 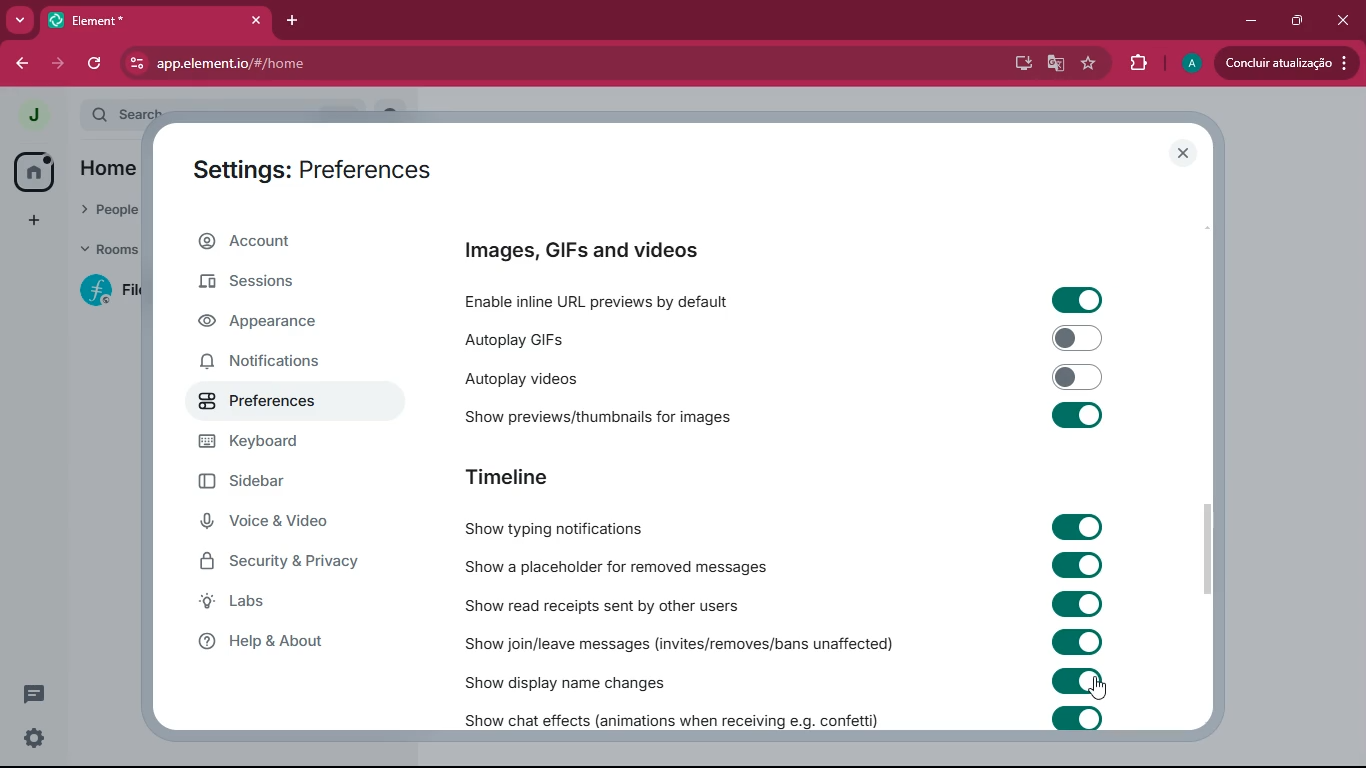 What do you see at coordinates (623, 605) in the screenshot?
I see `show read receipts sent by other users` at bounding box center [623, 605].